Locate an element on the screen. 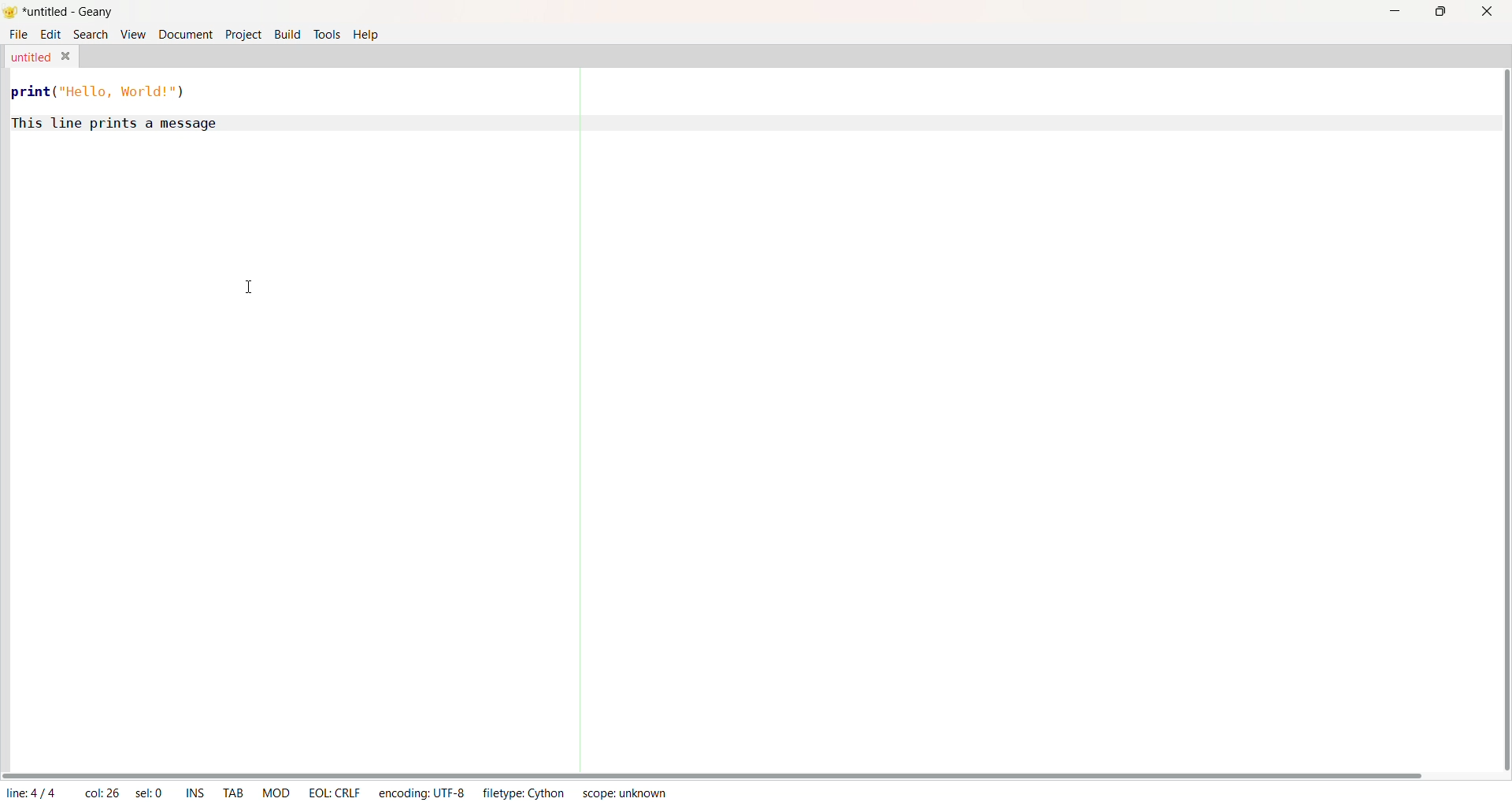  untitled is located at coordinates (30, 56).